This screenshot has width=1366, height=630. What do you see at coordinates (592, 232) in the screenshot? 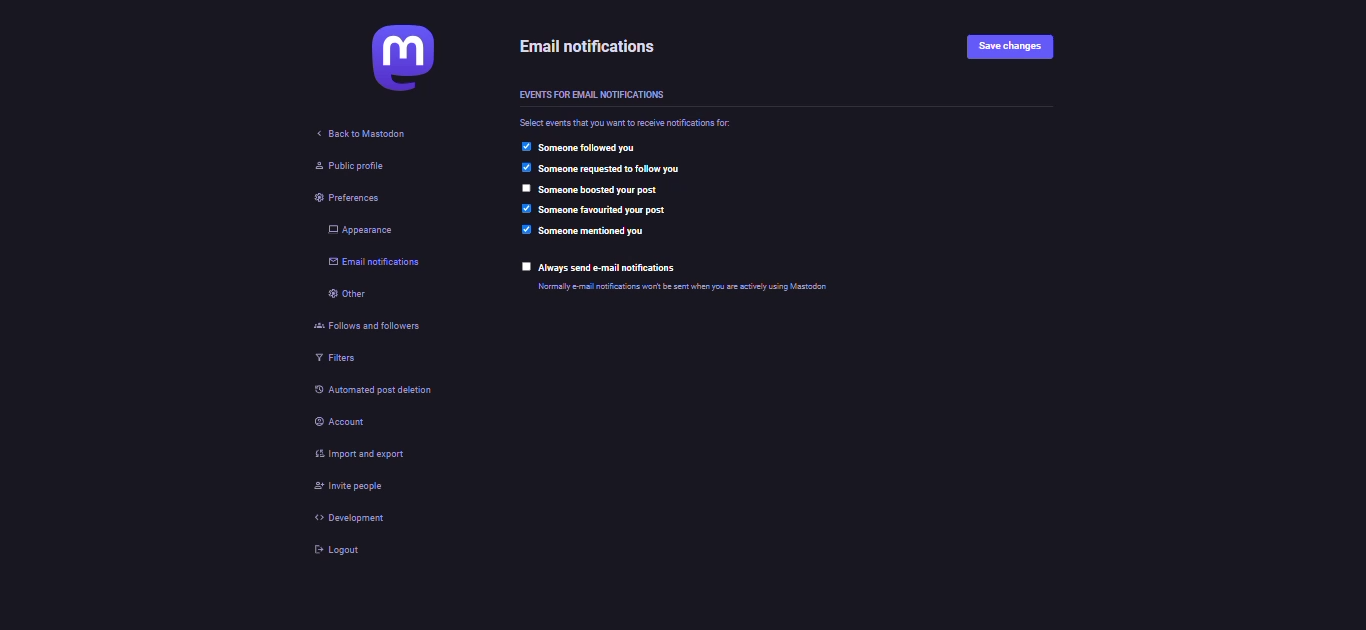
I see `someone mentioned you` at bounding box center [592, 232].